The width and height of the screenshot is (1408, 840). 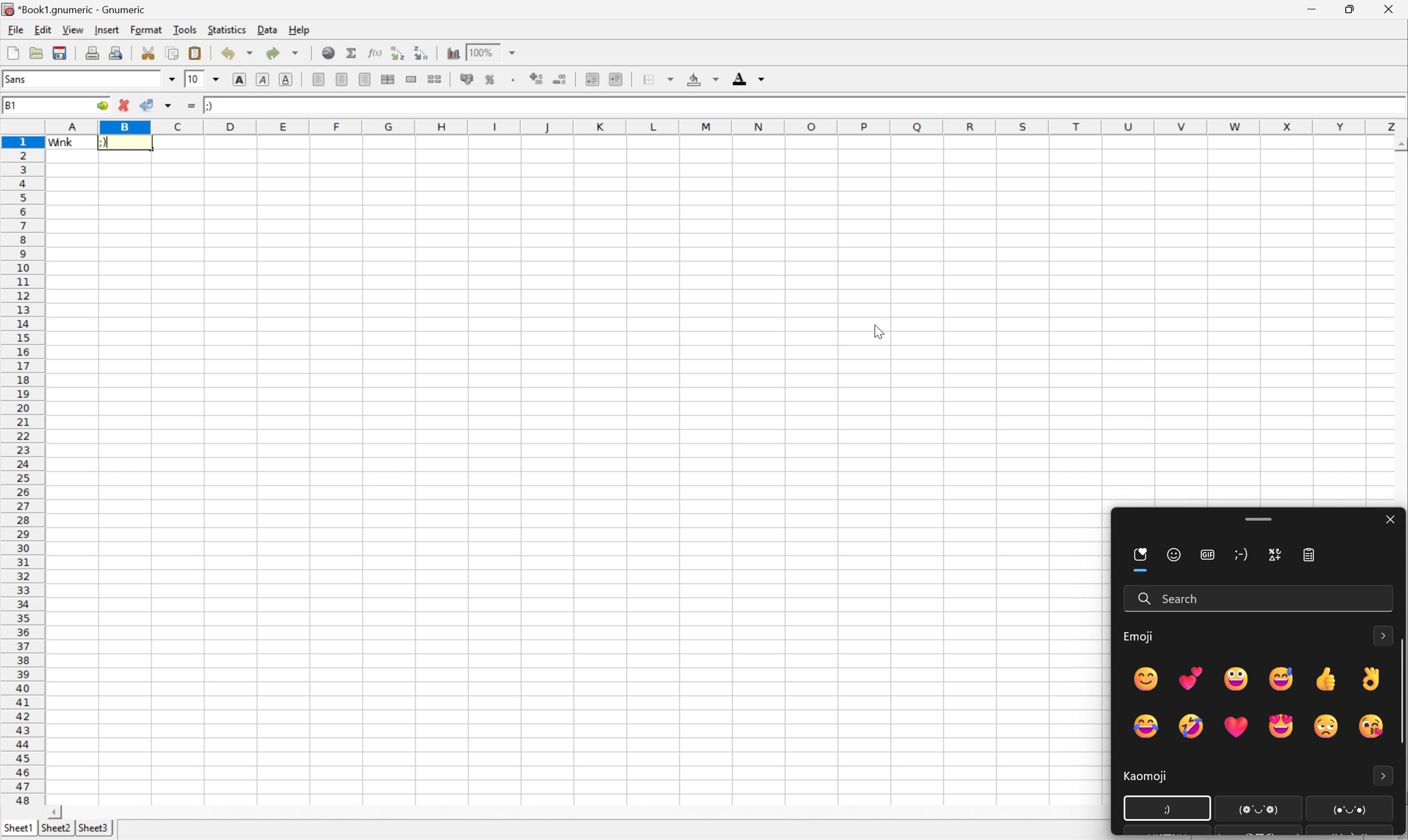 What do you see at coordinates (241, 79) in the screenshot?
I see `bold` at bounding box center [241, 79].